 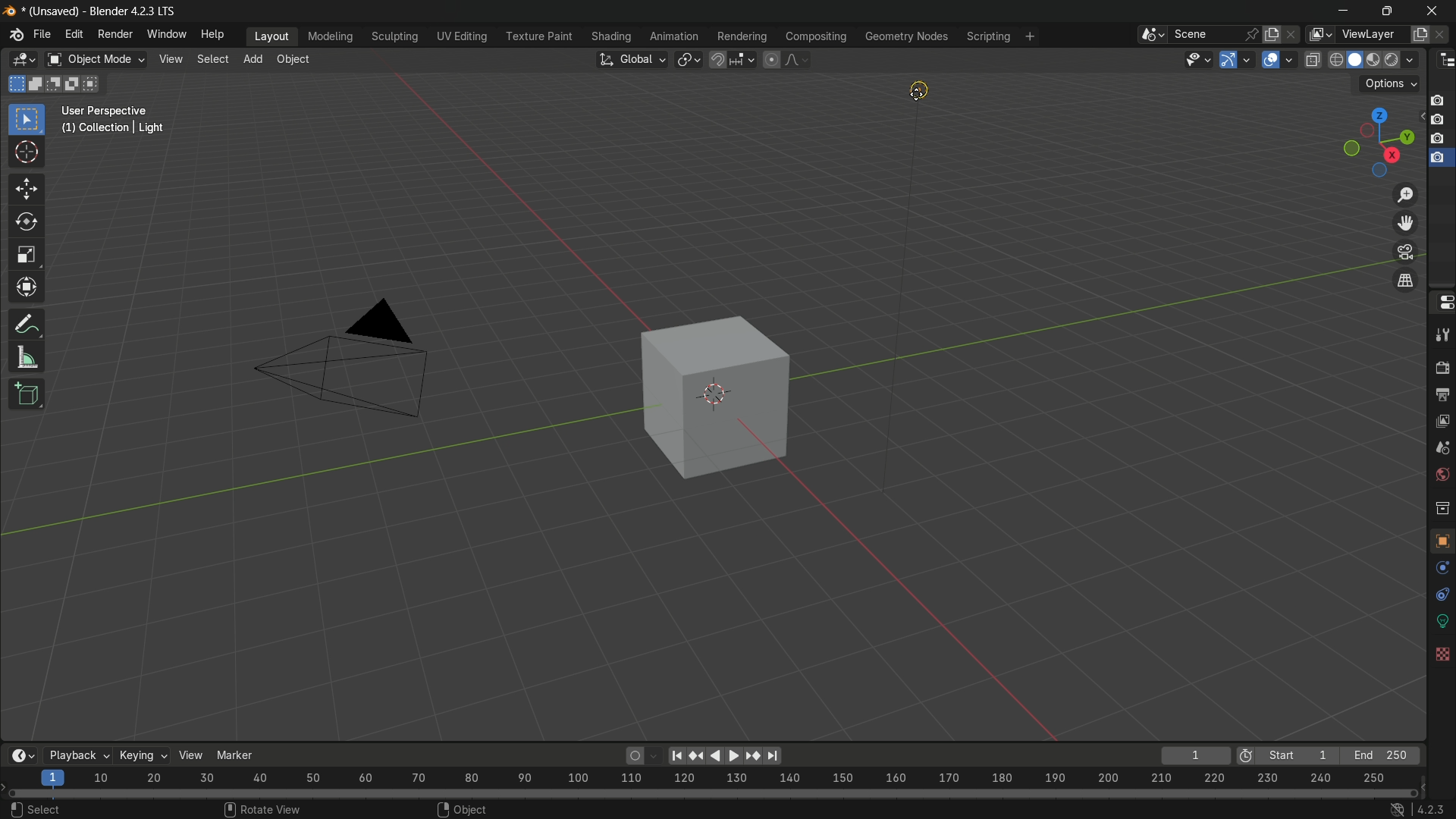 I want to click on light, so click(x=931, y=92).